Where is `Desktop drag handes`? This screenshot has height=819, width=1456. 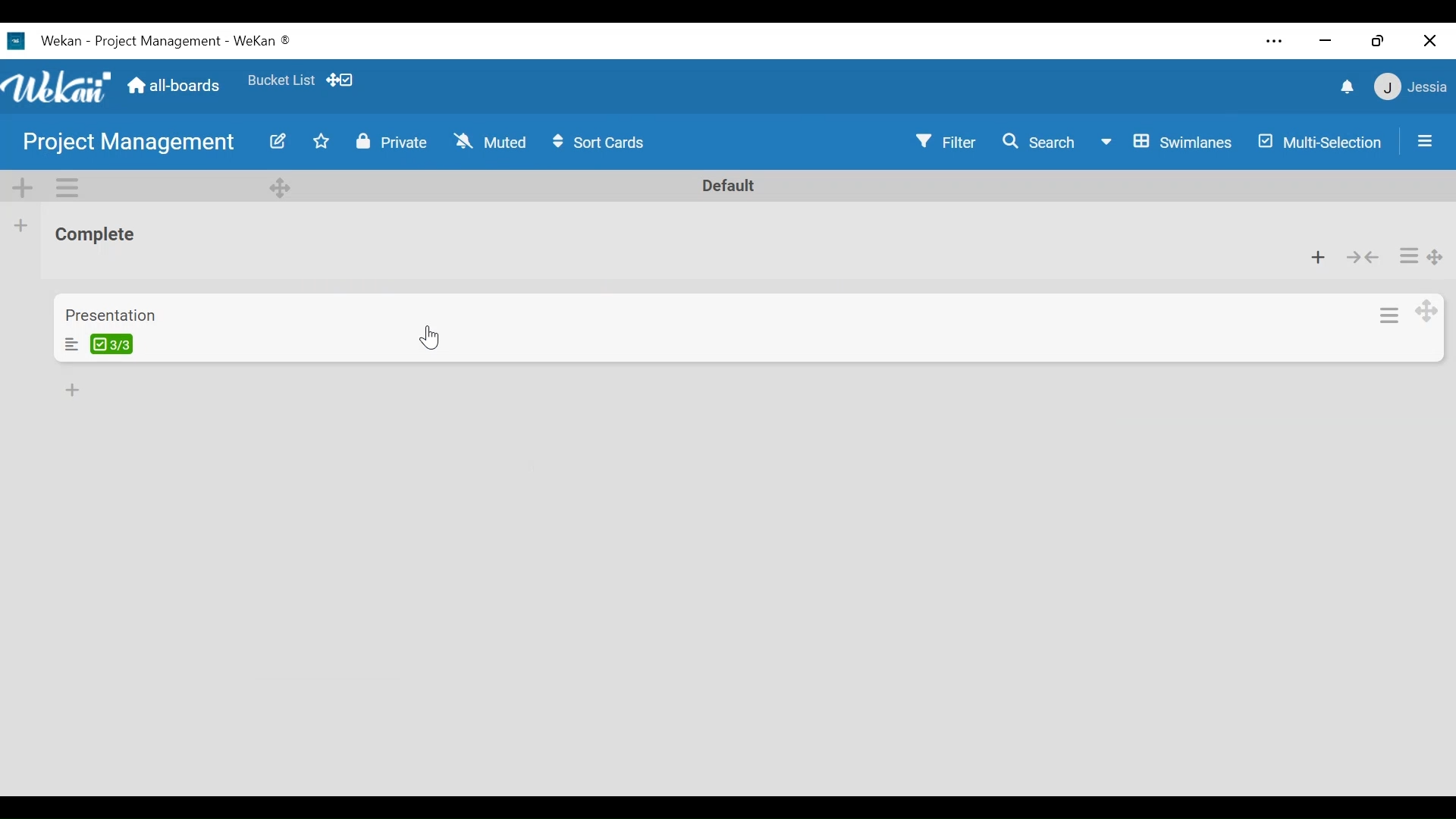 Desktop drag handes is located at coordinates (1427, 311).